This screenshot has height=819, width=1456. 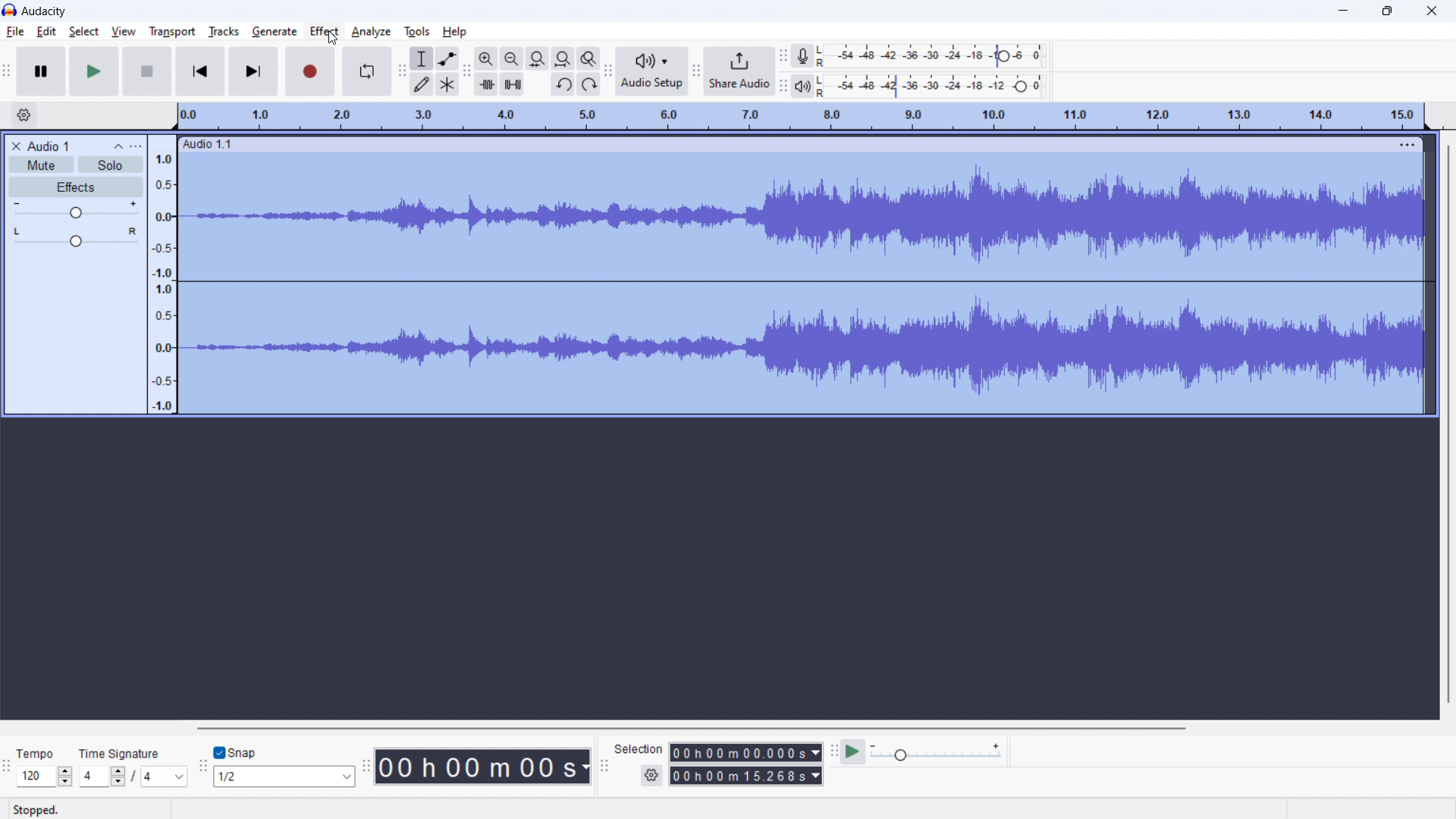 I want to click on selection tool, so click(x=422, y=59).